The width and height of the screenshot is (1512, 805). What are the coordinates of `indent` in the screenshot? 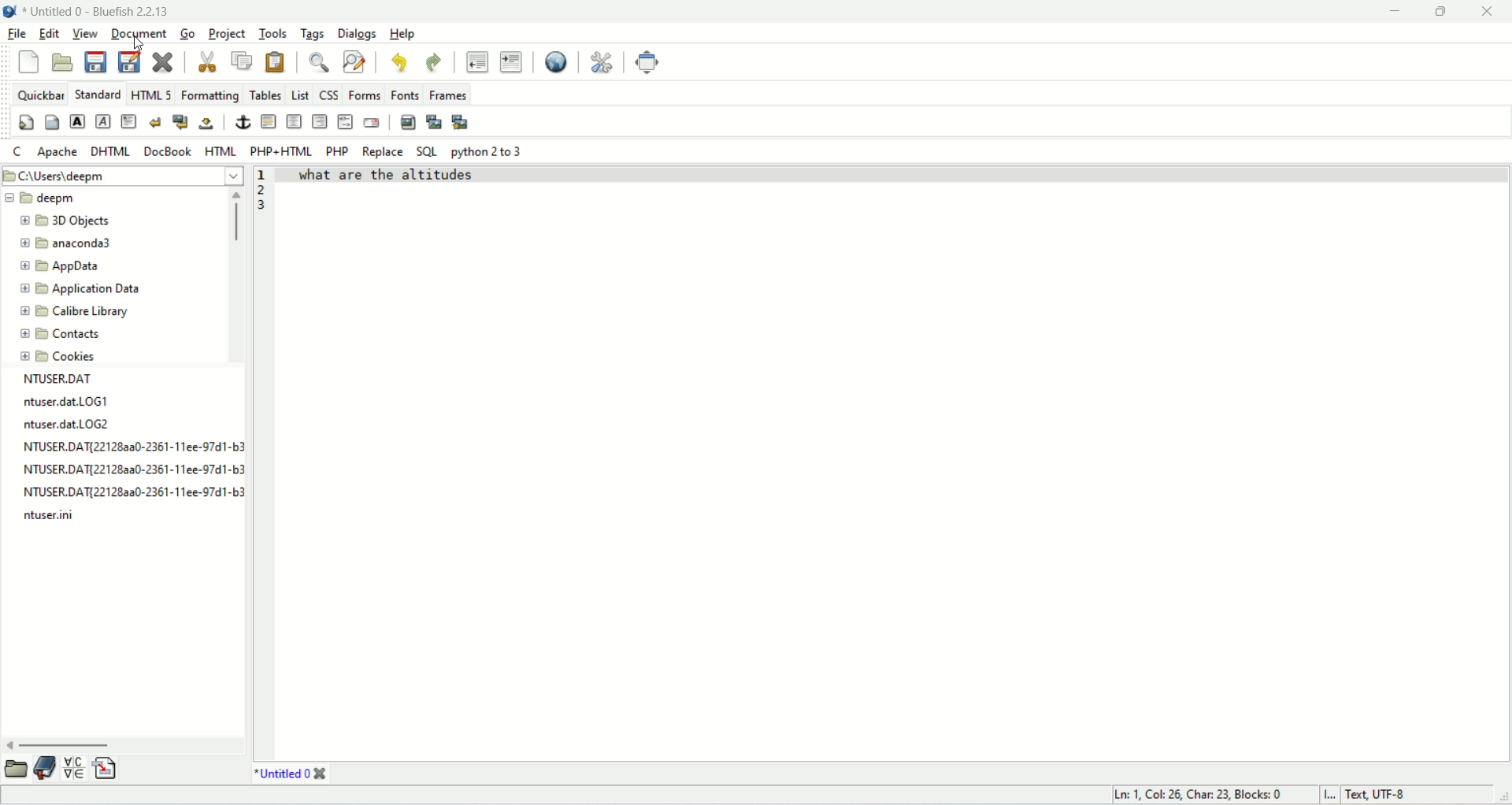 It's located at (510, 61).